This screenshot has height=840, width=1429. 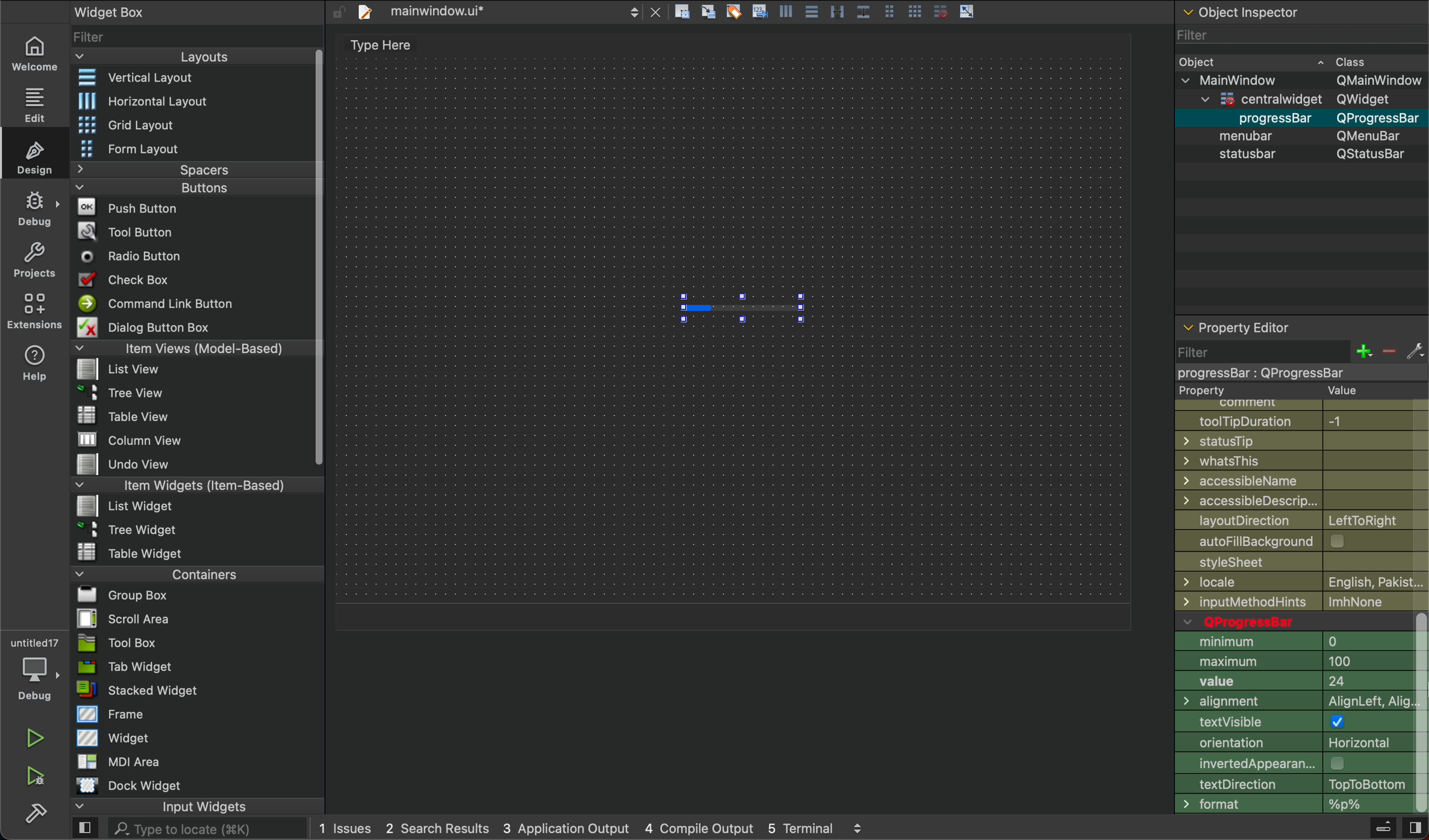 What do you see at coordinates (1307, 542) in the screenshot?
I see `autofill` at bounding box center [1307, 542].